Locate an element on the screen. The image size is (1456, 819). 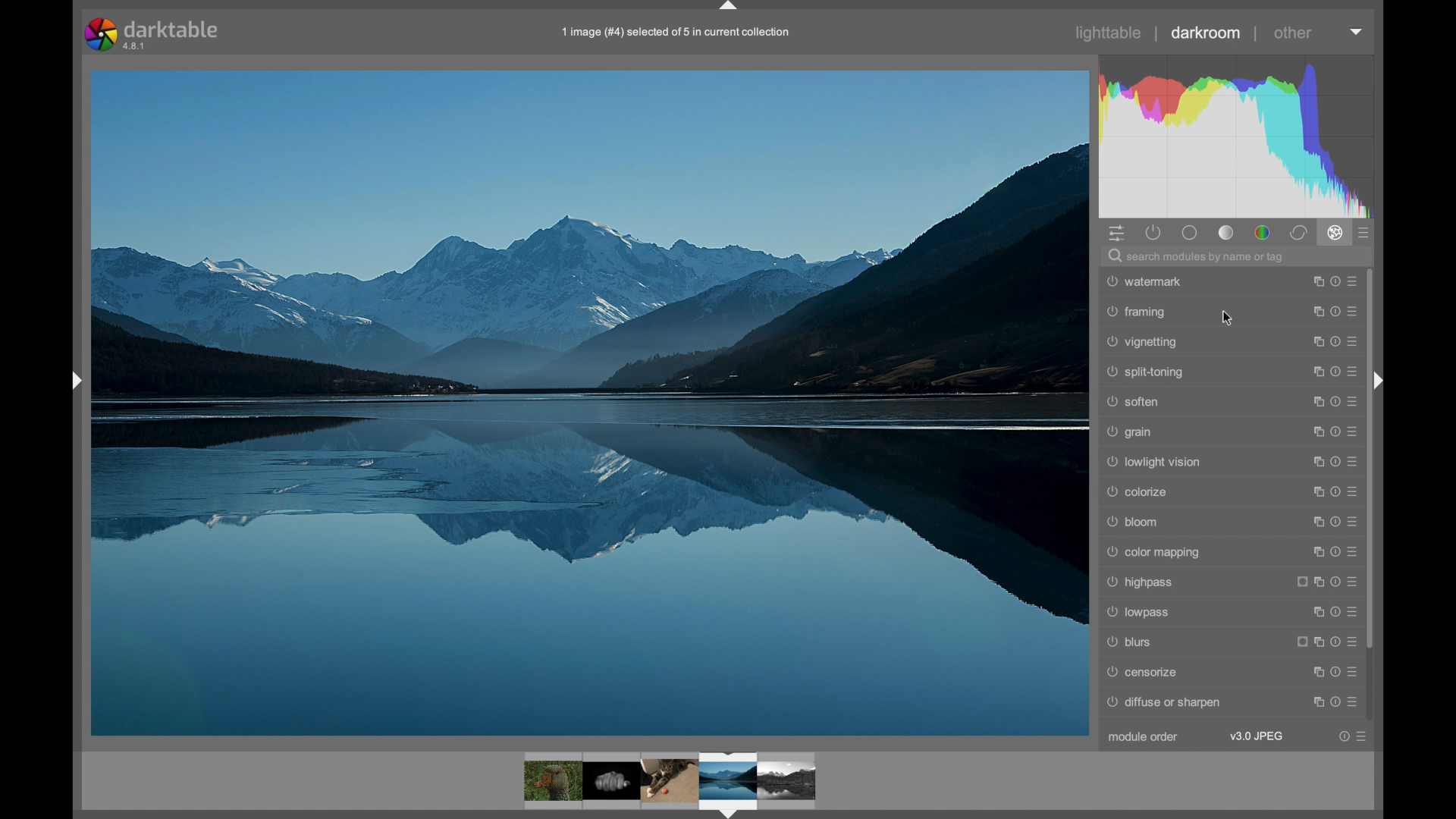
lighttable is located at coordinates (1109, 34).